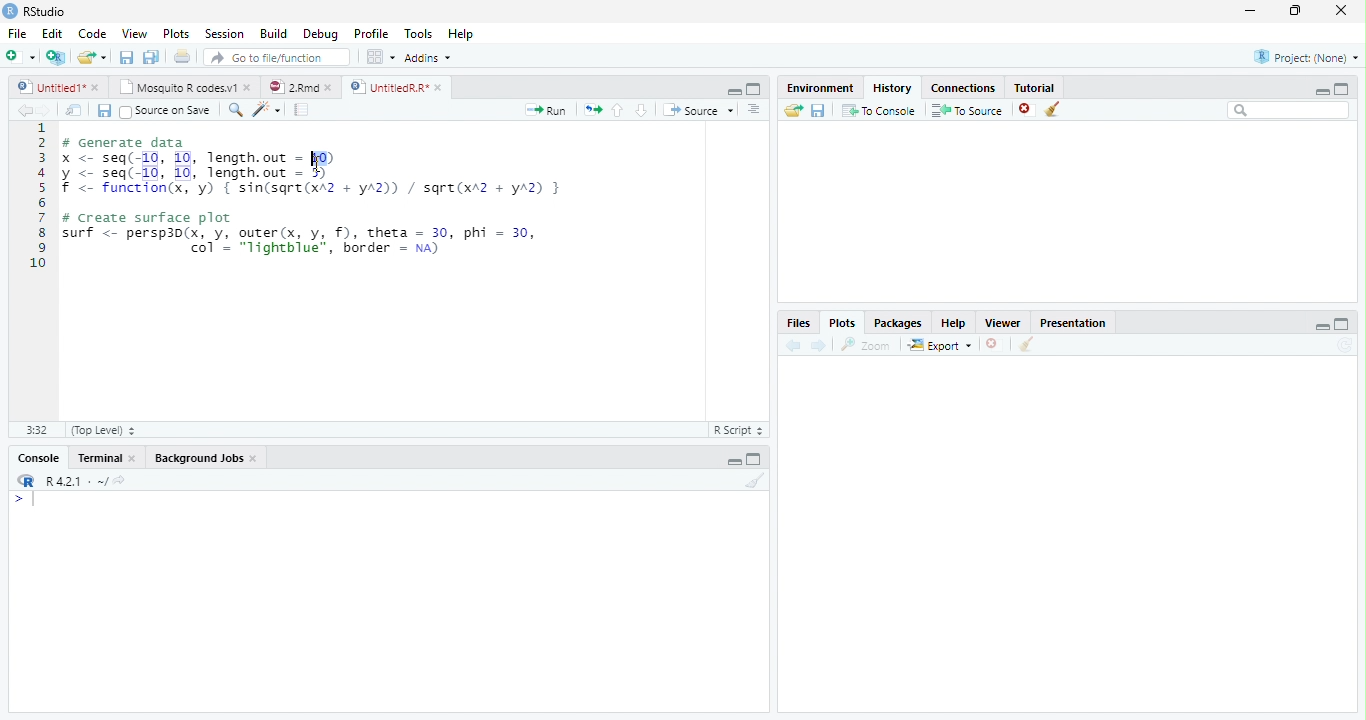 This screenshot has width=1366, height=720. Describe the element at coordinates (1073, 322) in the screenshot. I see `Presentation` at that location.